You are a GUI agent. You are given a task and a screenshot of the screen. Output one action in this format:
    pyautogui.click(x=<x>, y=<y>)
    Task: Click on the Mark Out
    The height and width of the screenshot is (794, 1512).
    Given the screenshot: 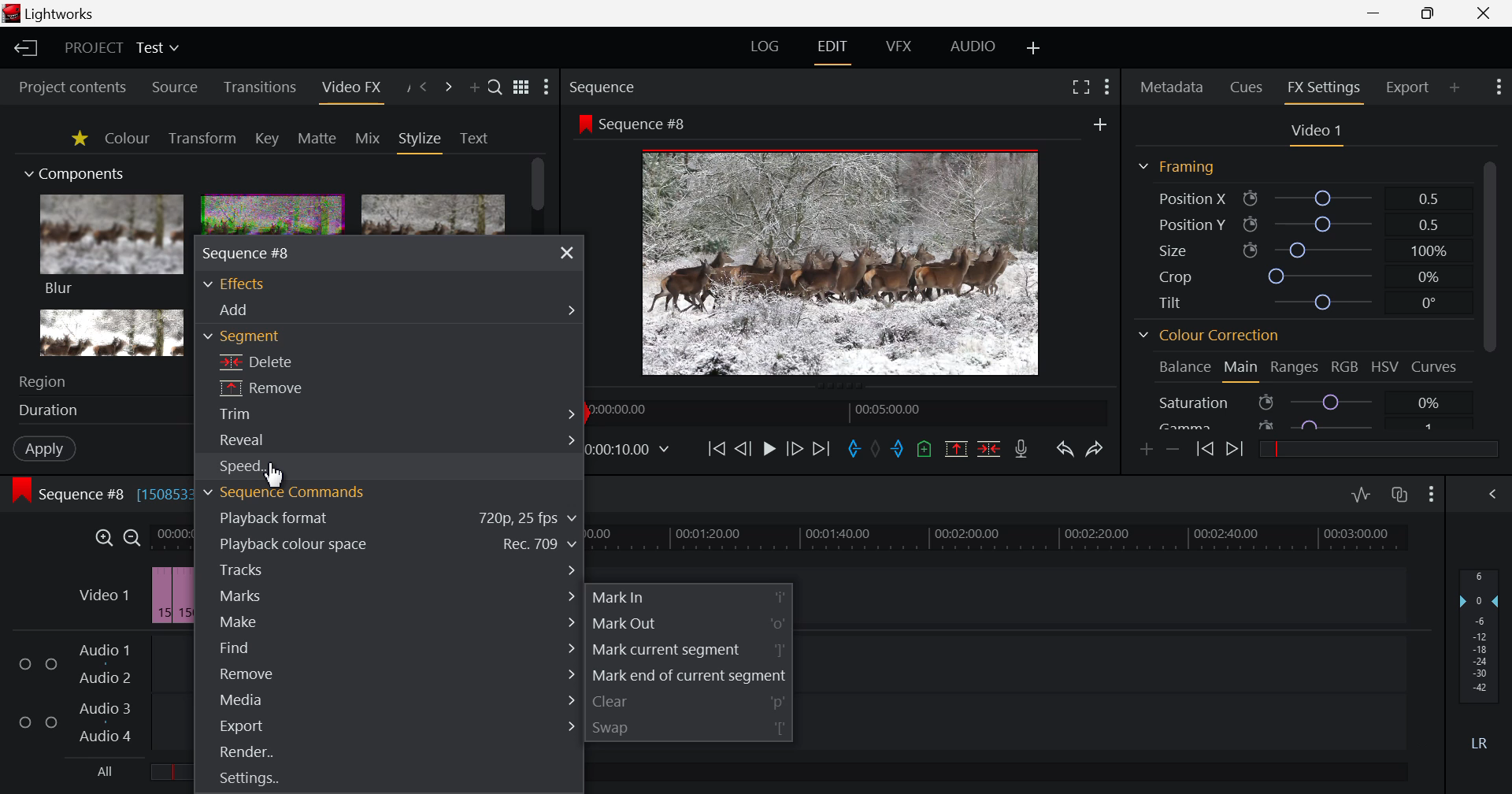 What is the action you would take?
    pyautogui.click(x=688, y=624)
    